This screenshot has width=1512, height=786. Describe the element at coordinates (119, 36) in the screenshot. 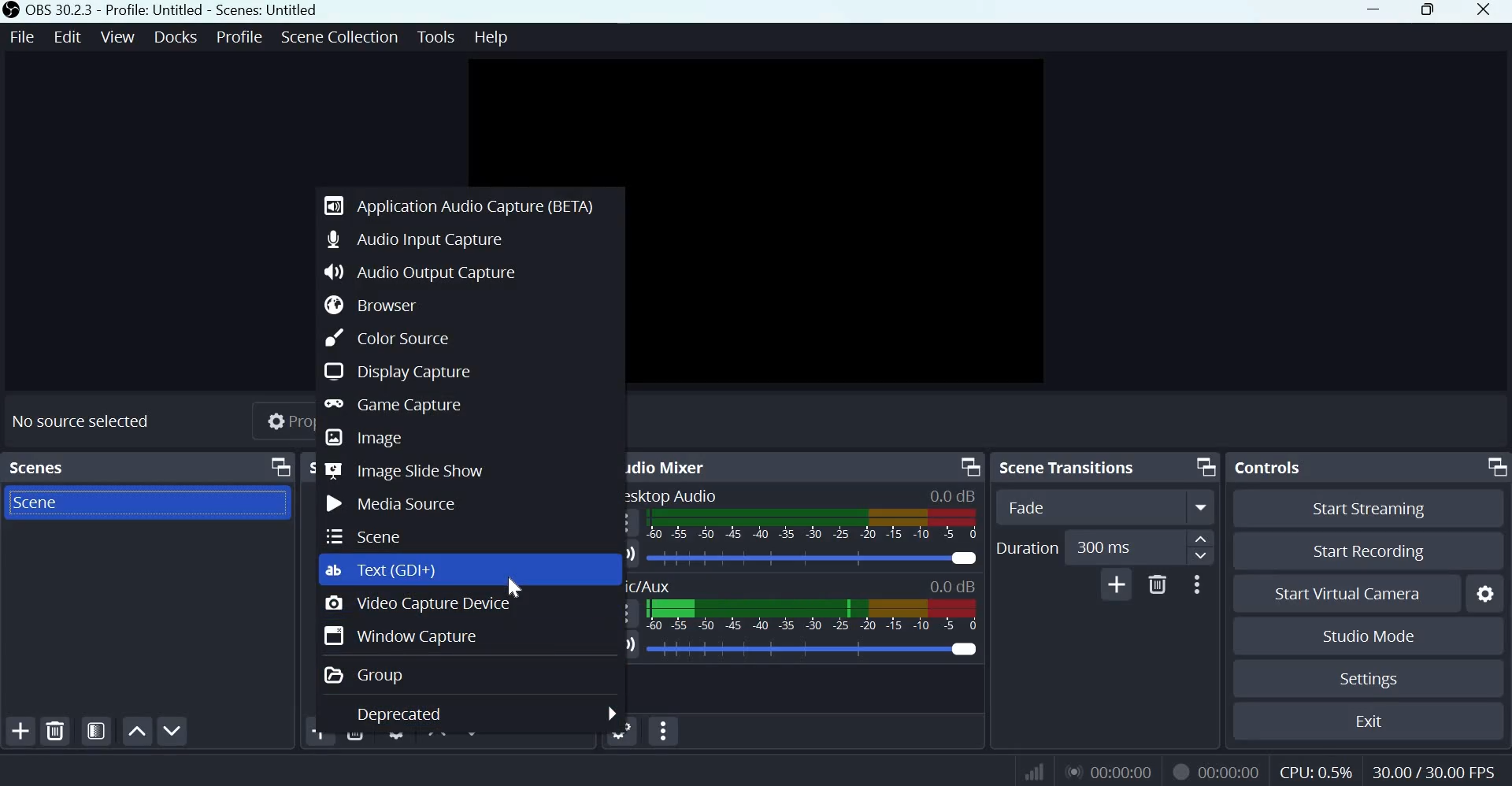

I see `View` at that location.